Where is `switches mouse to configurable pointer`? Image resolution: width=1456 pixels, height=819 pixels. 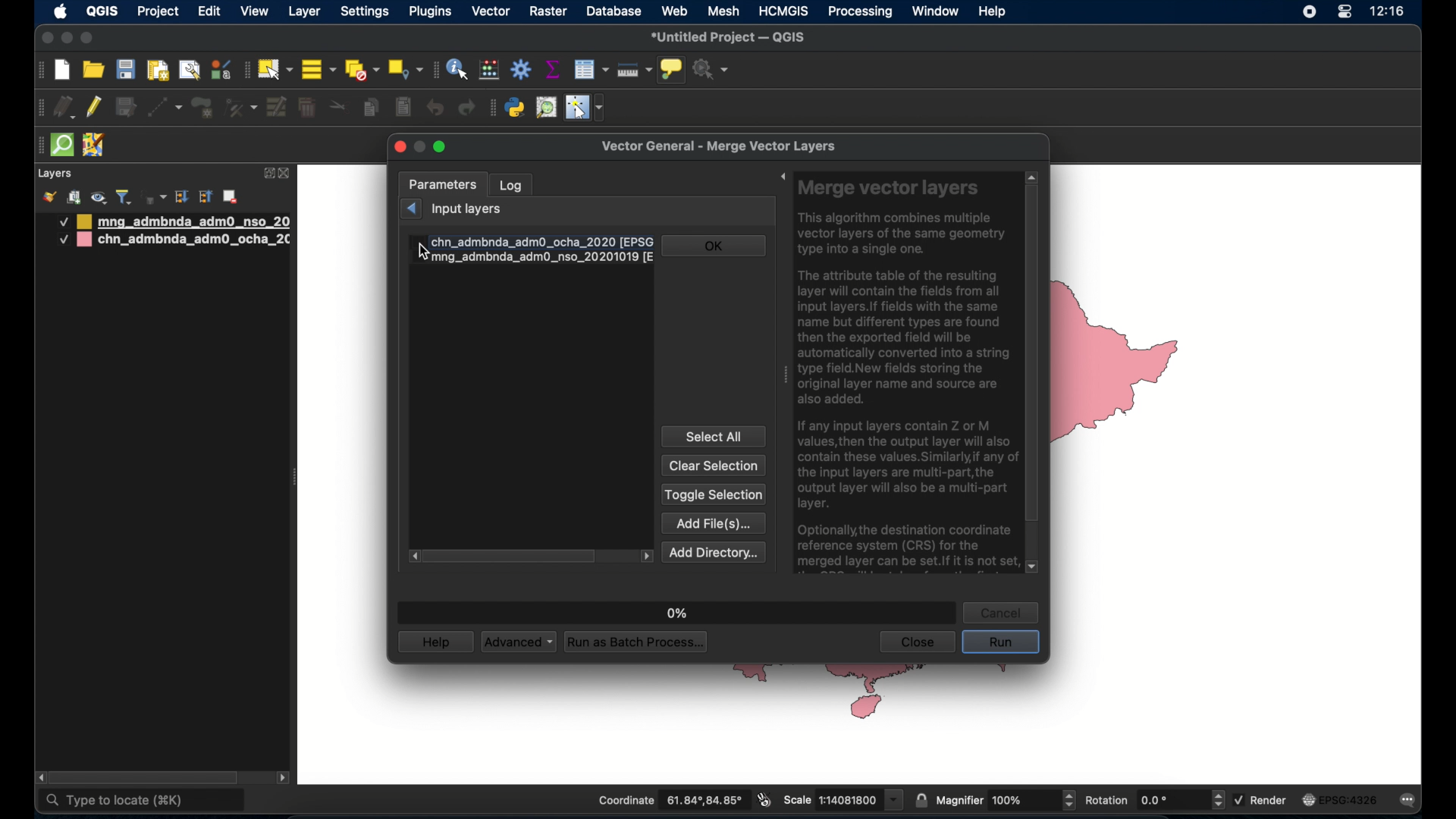 switches mouse to configurable pointer is located at coordinates (586, 108).